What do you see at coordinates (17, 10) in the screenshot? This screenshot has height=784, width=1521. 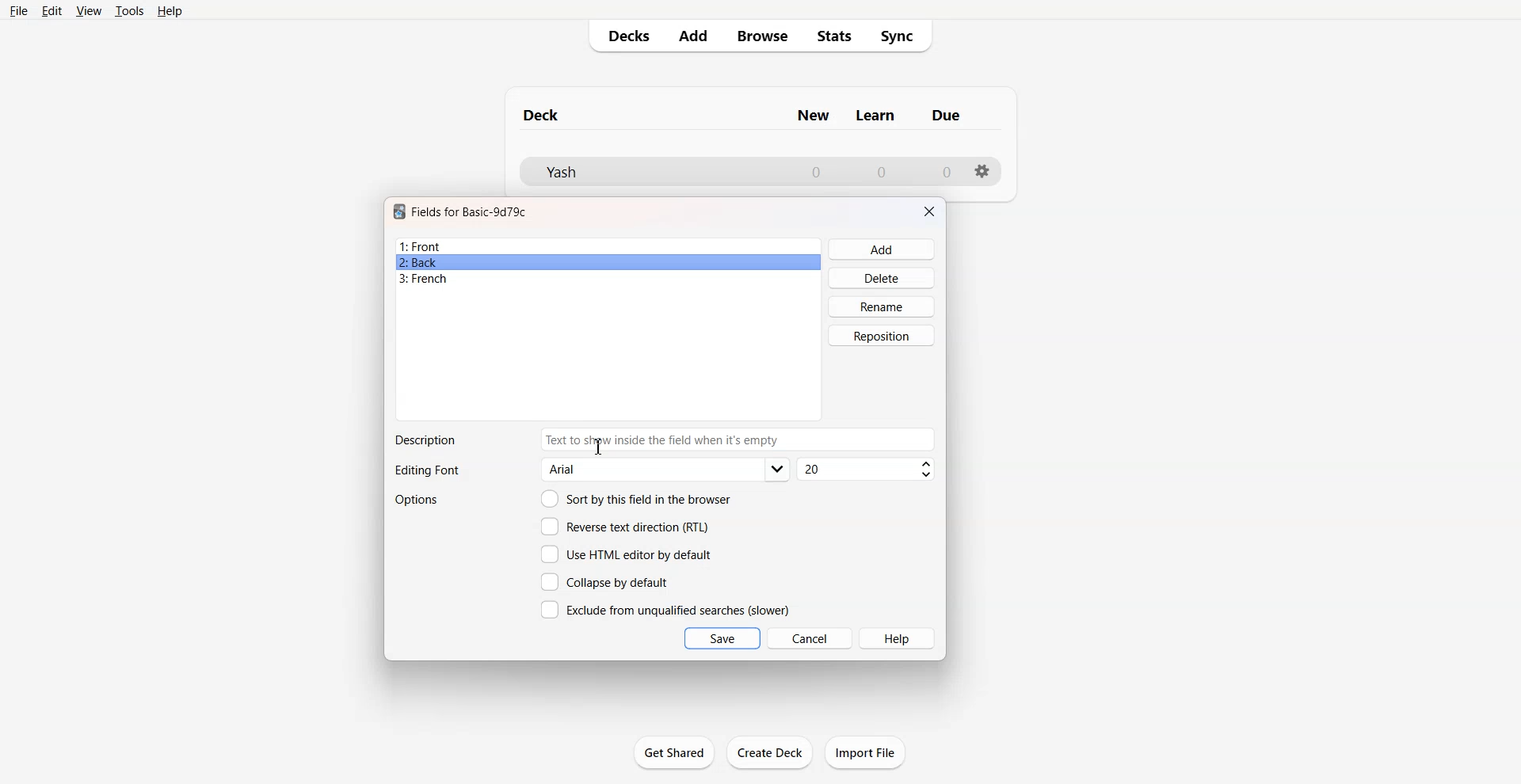 I see `File` at bounding box center [17, 10].